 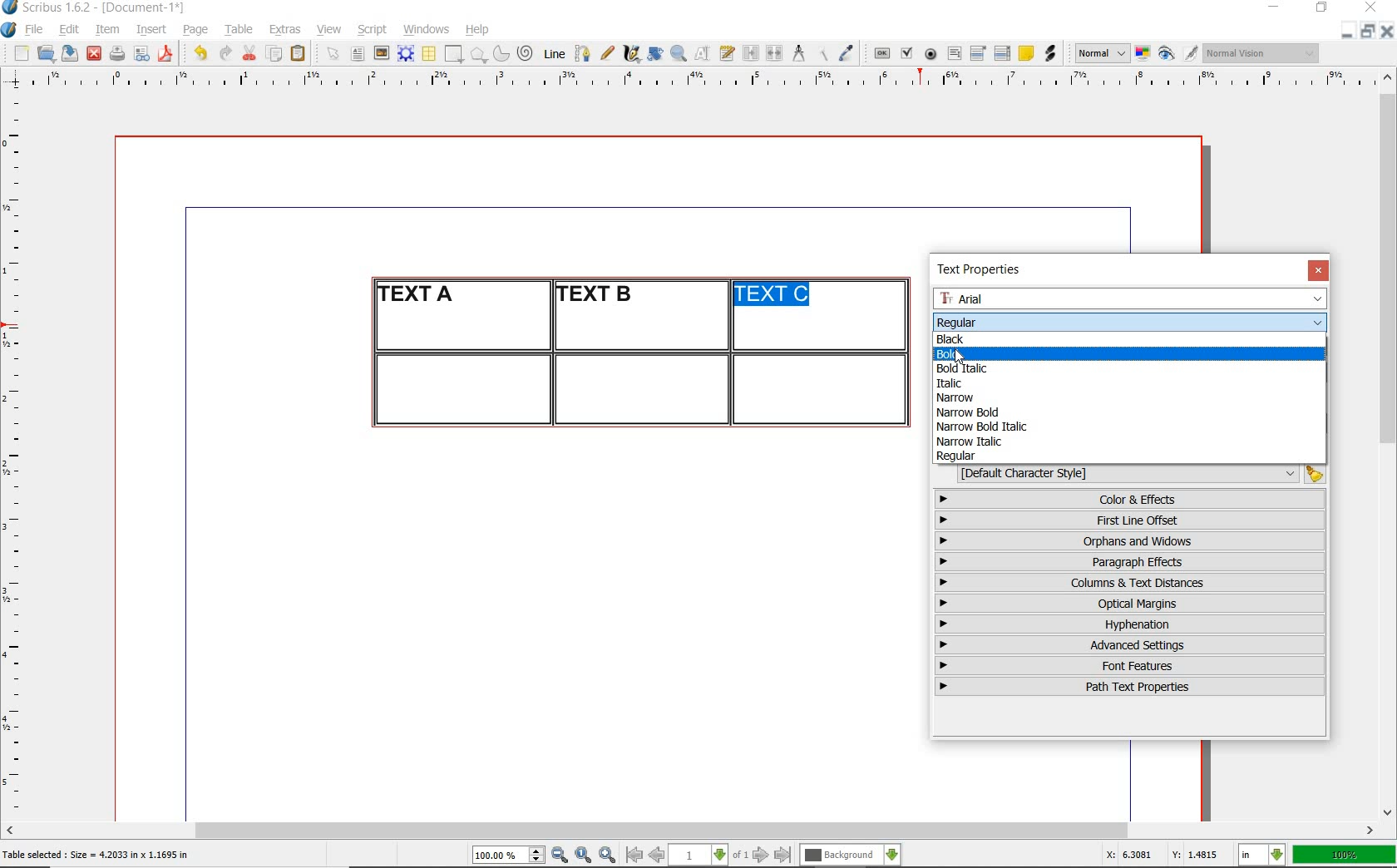 I want to click on view, so click(x=329, y=29).